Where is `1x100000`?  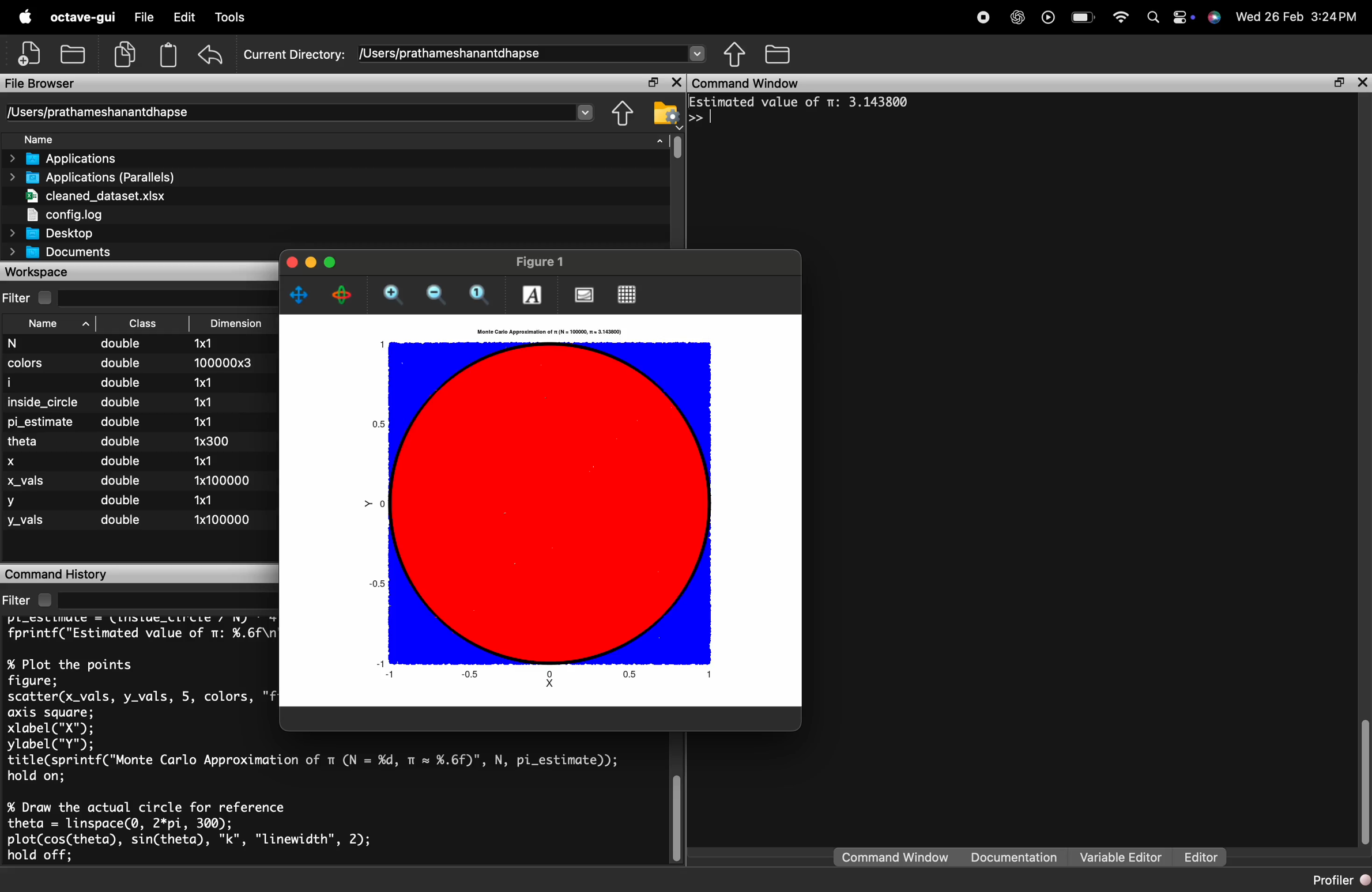 1x100000 is located at coordinates (223, 479).